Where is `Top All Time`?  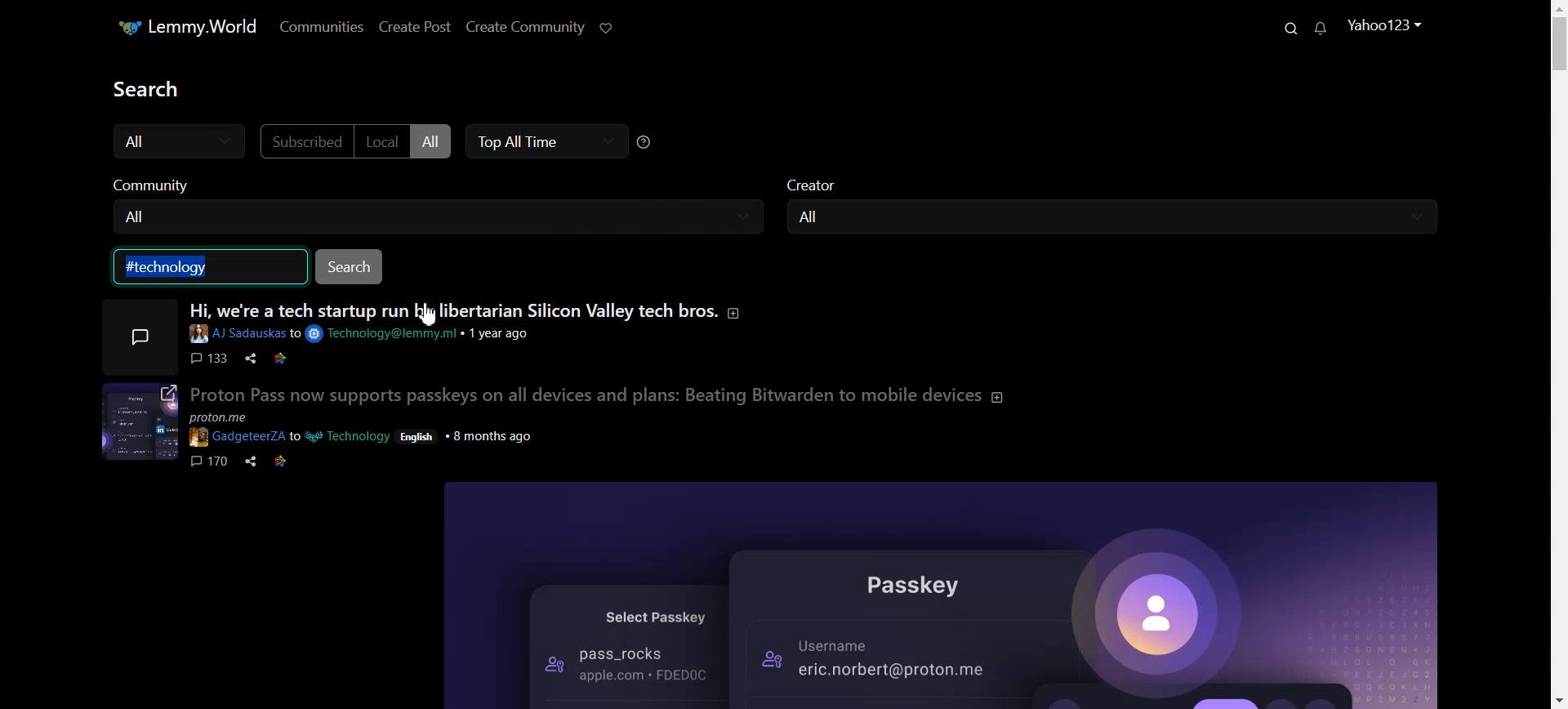
Top All Time is located at coordinates (551, 142).